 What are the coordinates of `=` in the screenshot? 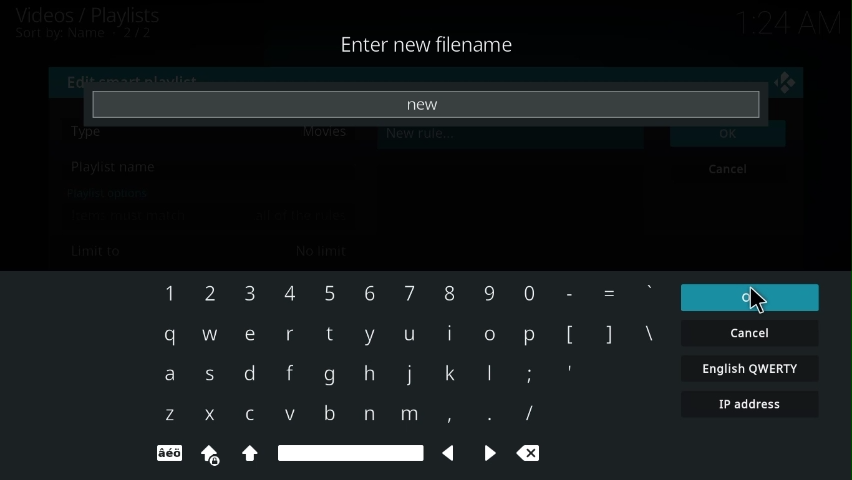 It's located at (608, 293).